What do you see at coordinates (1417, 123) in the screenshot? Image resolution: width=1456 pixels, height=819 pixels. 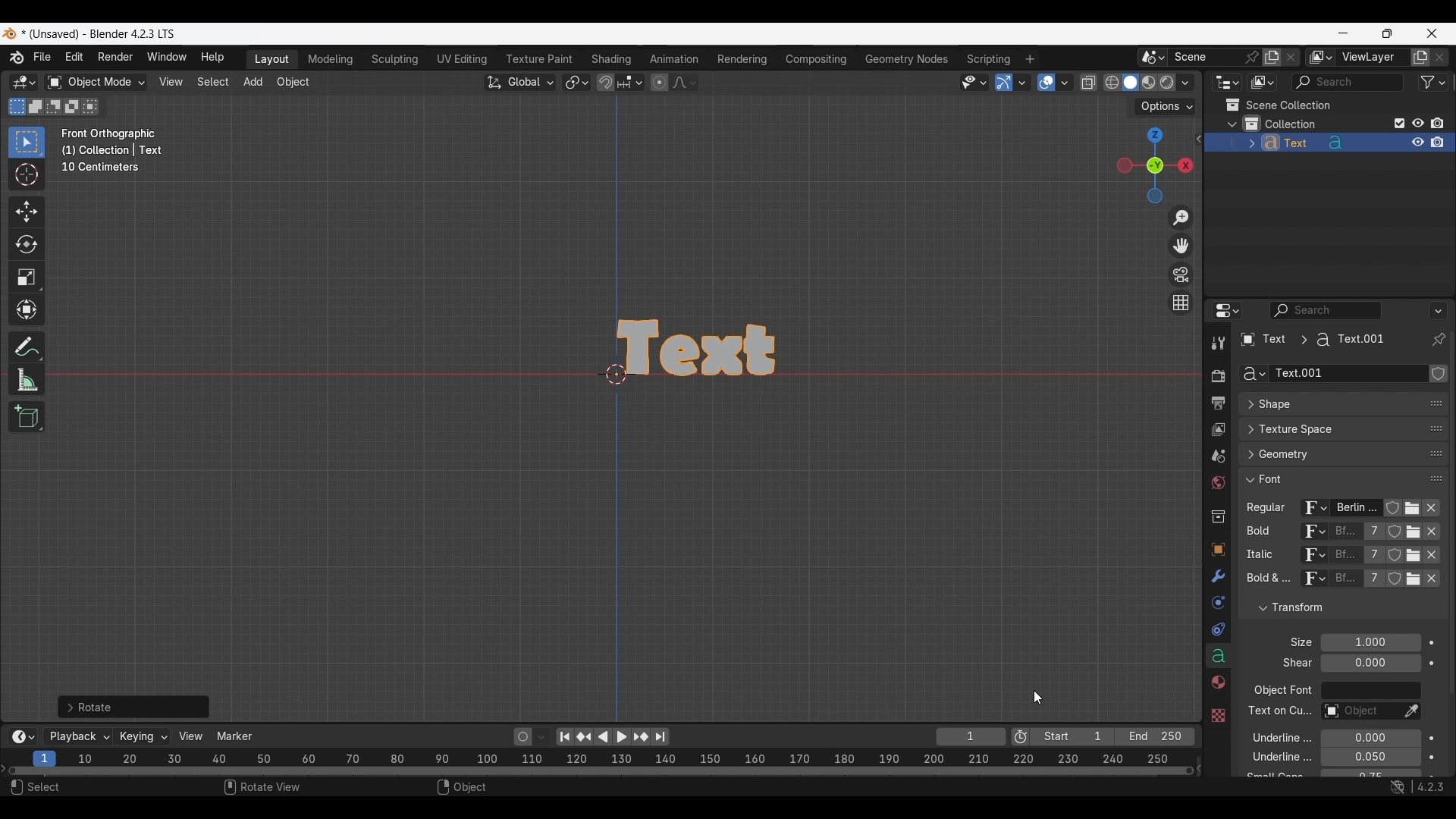 I see `Hide in viewport` at bounding box center [1417, 123].